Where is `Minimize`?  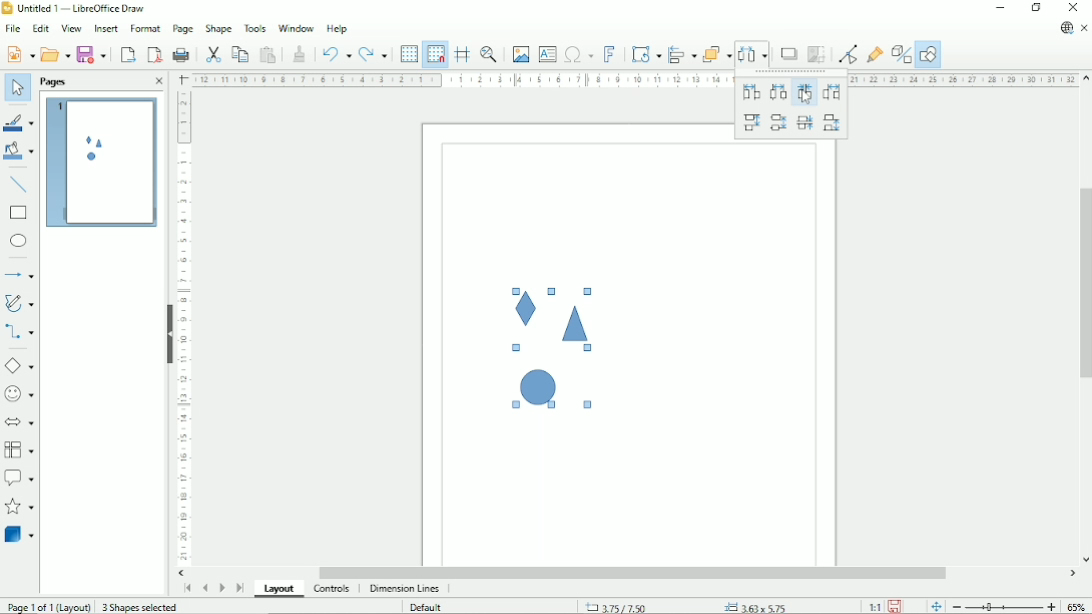
Minimize is located at coordinates (1000, 8).